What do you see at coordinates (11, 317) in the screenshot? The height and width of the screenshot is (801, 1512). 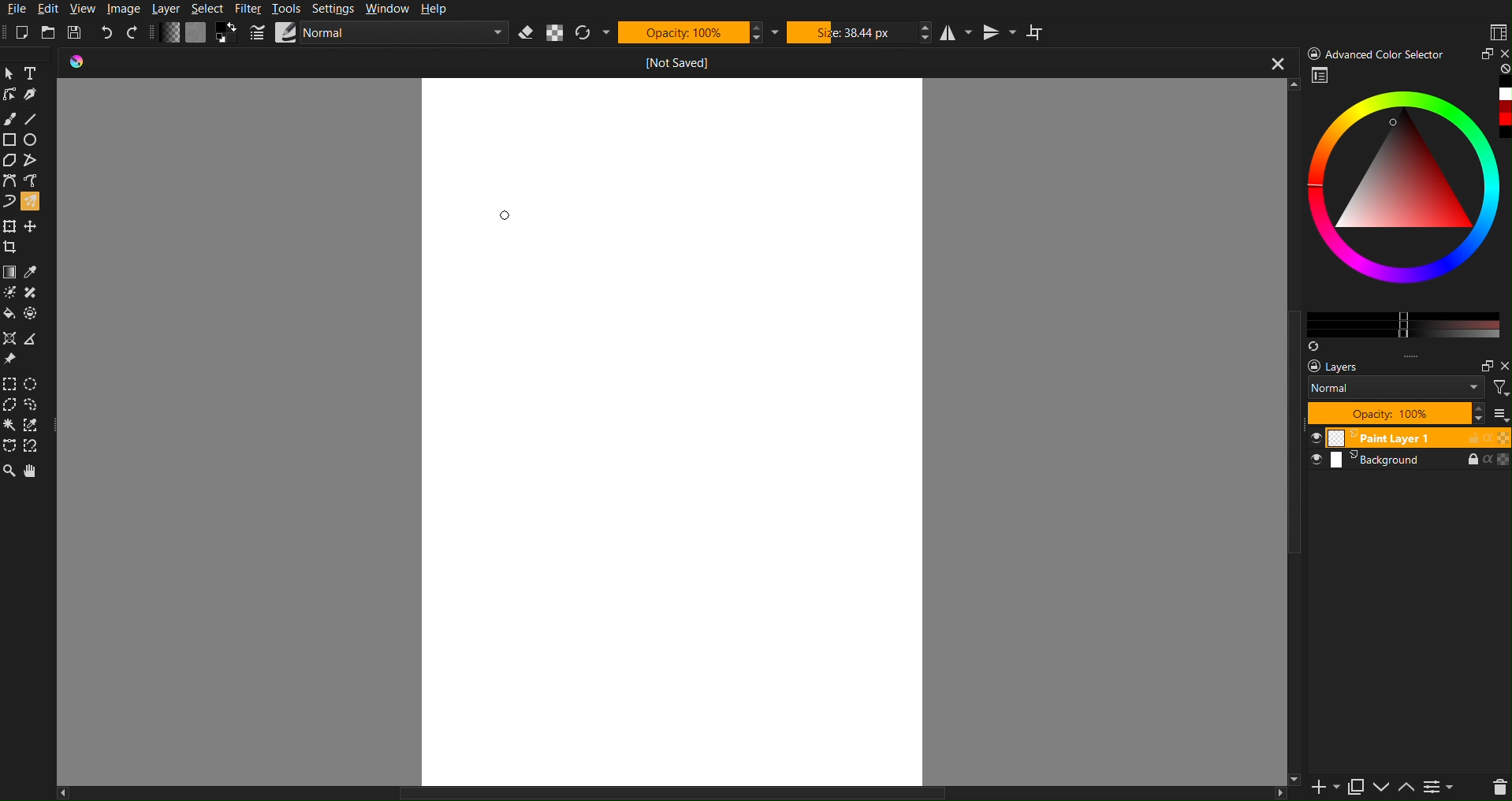 I see `Color Fill` at bounding box center [11, 317].